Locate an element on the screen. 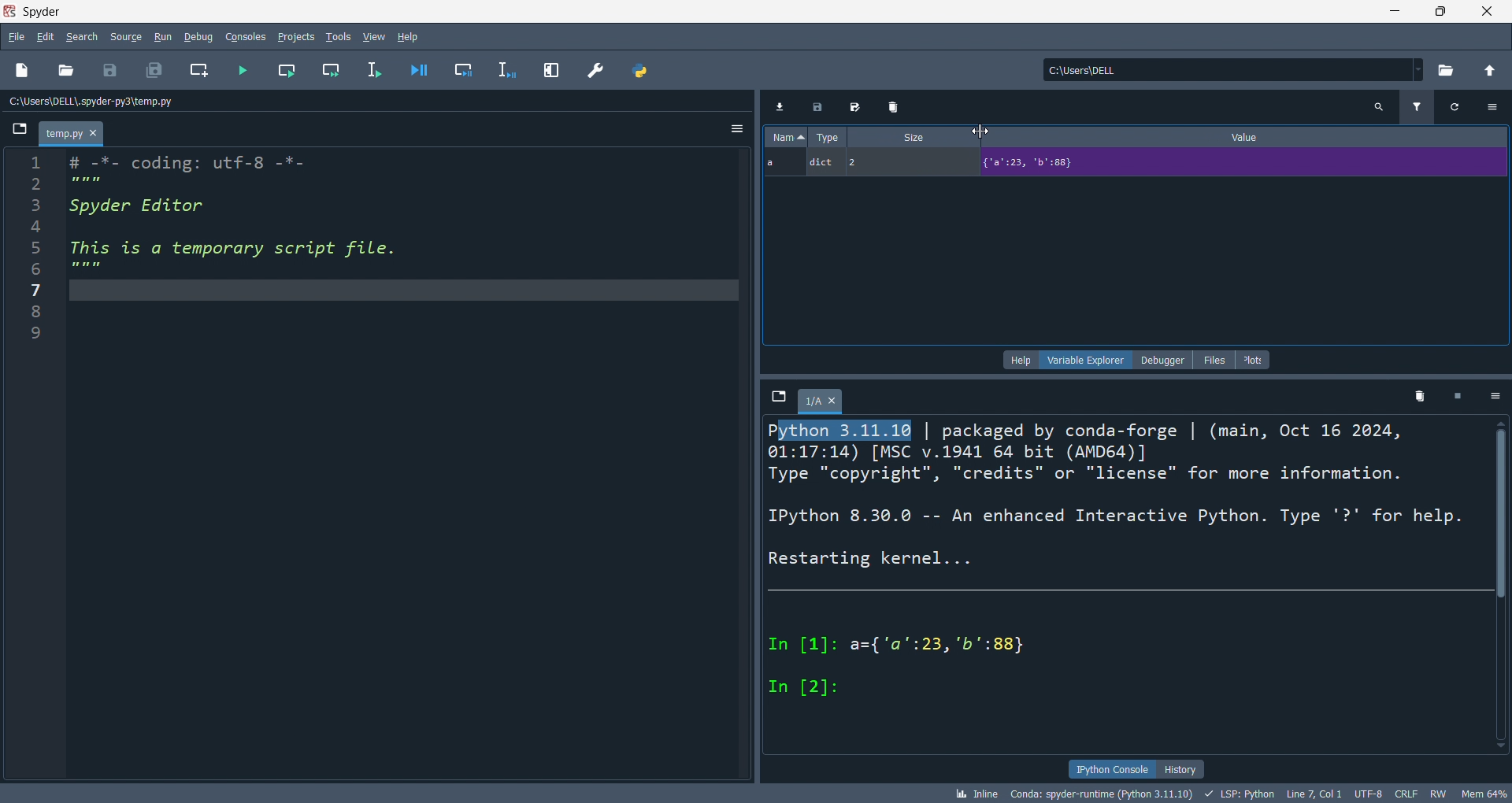 The image size is (1512, 803). history is located at coordinates (1180, 768).